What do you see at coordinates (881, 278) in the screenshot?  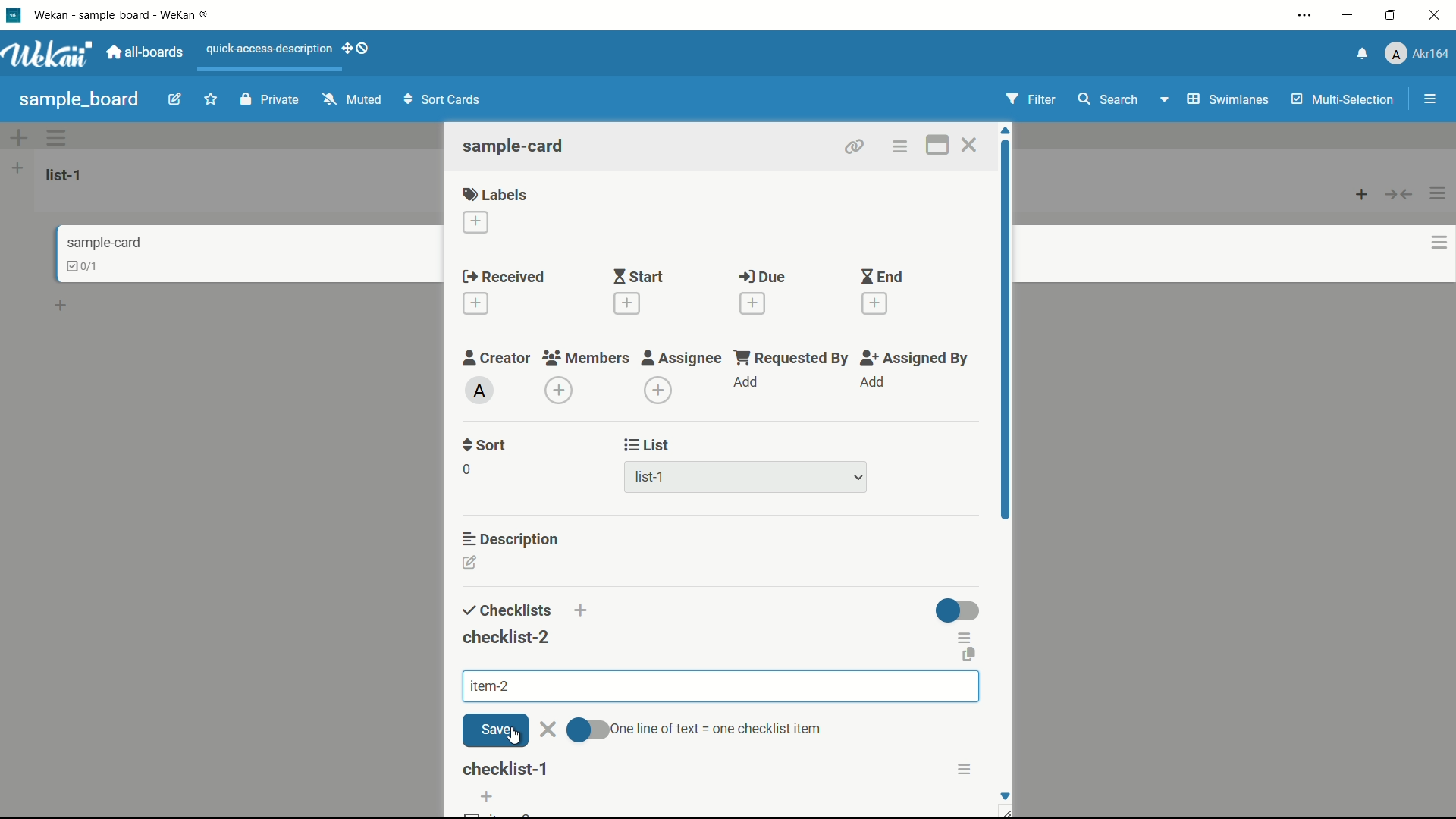 I see `end` at bounding box center [881, 278].